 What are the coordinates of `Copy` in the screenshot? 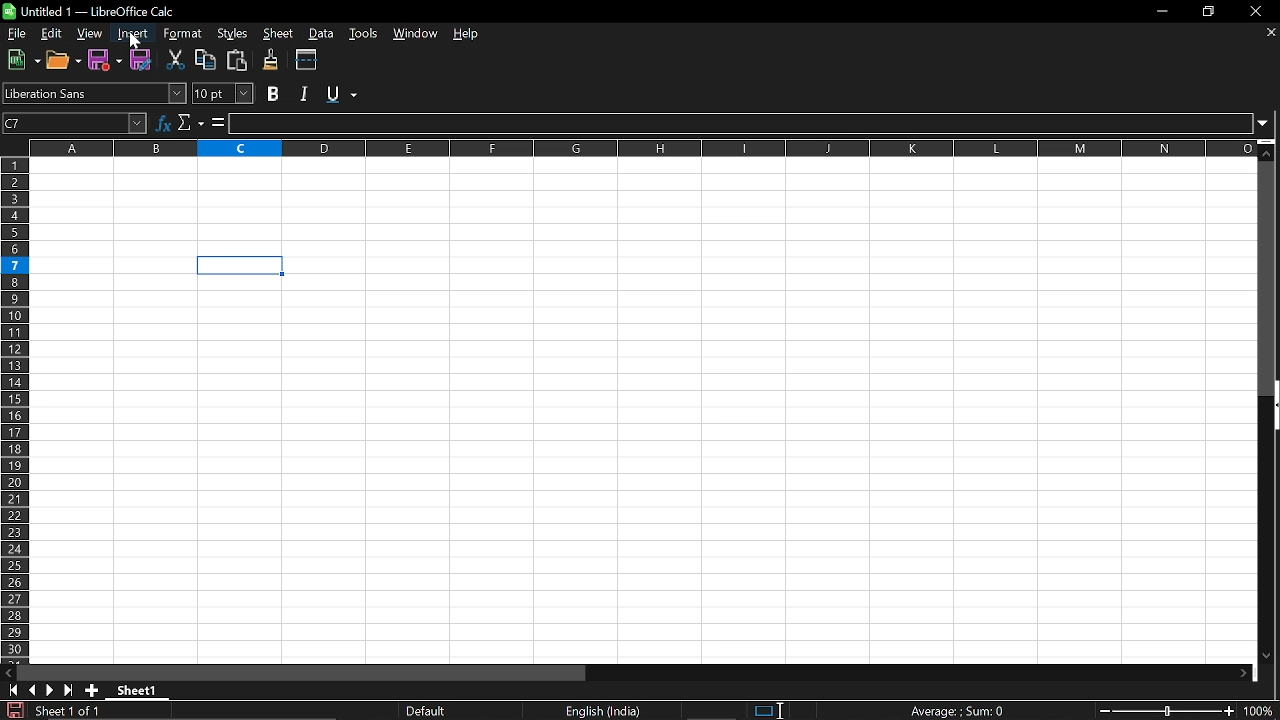 It's located at (205, 60).